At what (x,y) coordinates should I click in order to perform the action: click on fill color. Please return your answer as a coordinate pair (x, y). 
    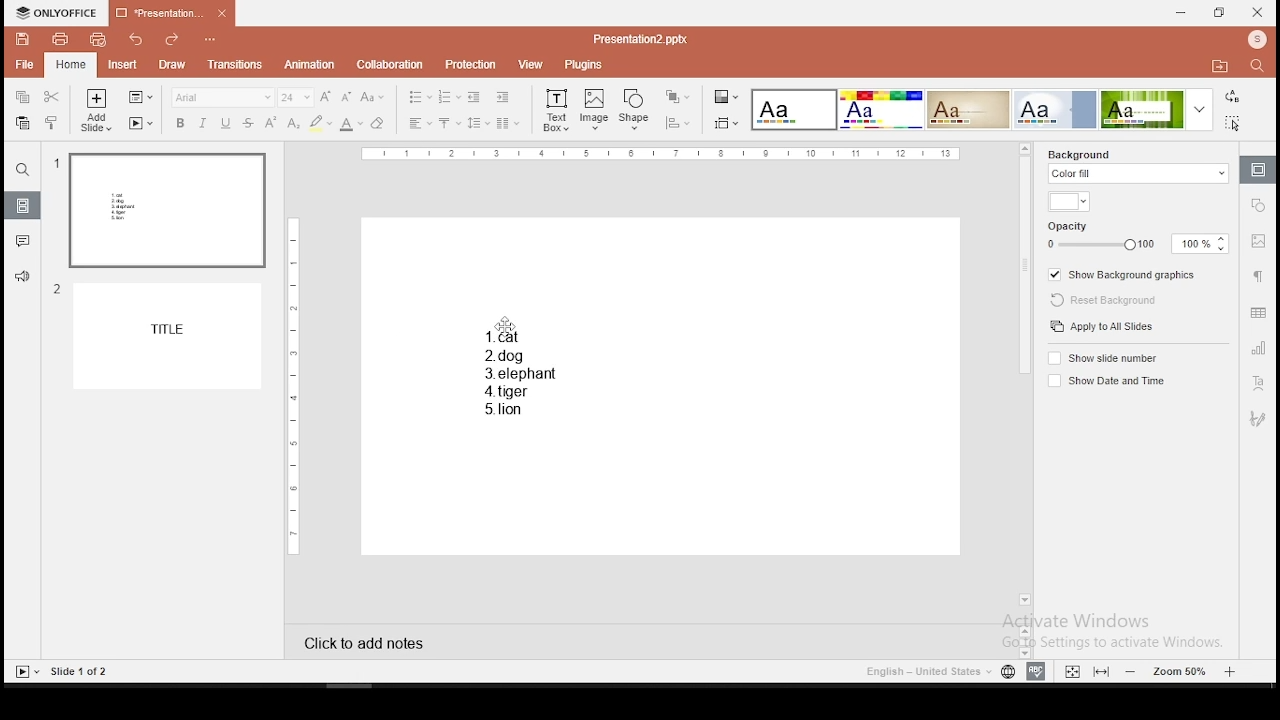
    Looking at the image, I should click on (1071, 201).